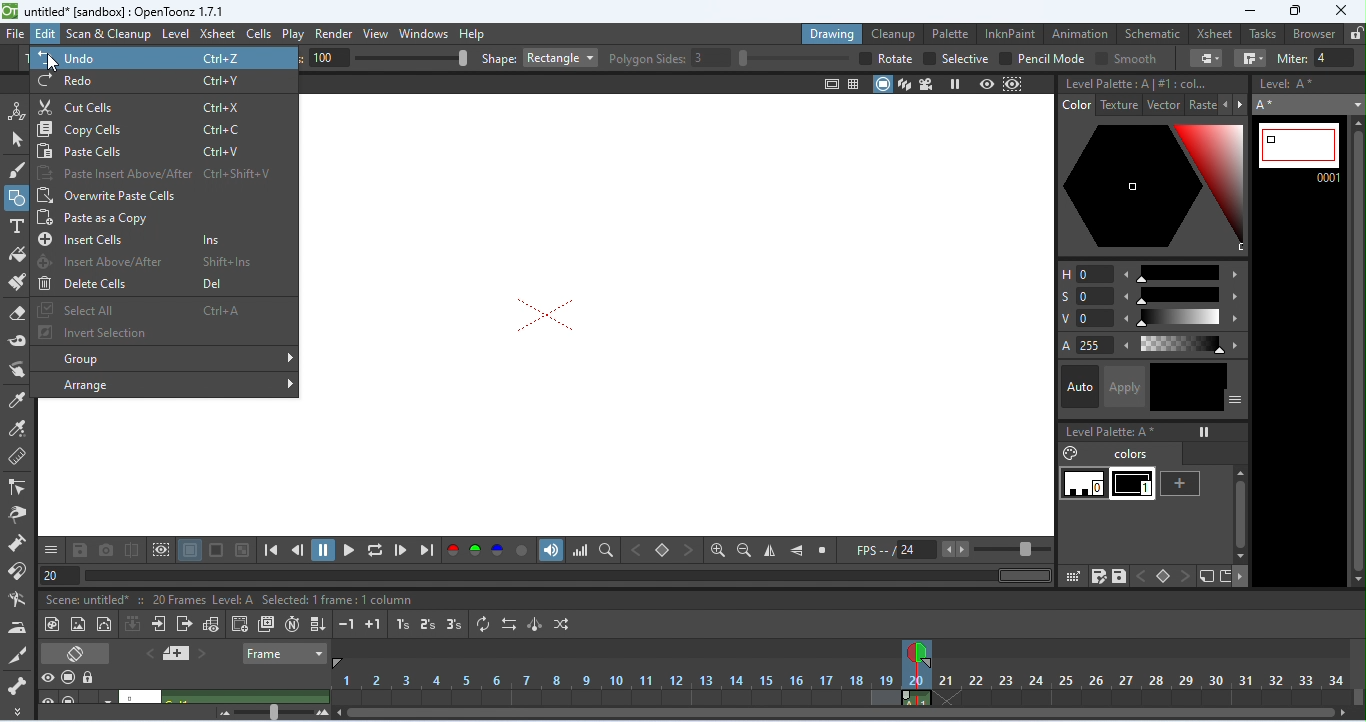  Describe the element at coordinates (135, 623) in the screenshot. I see `collapse` at that location.